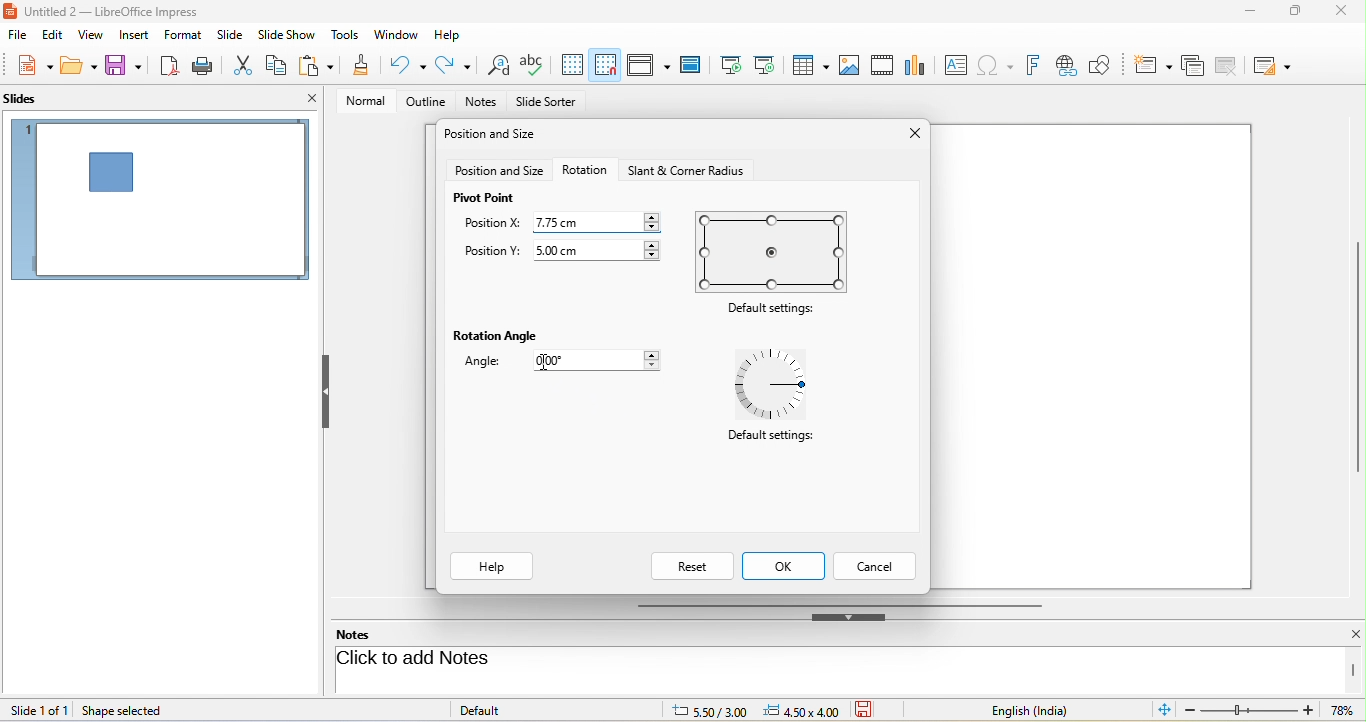 This screenshot has height=722, width=1366. What do you see at coordinates (775, 251) in the screenshot?
I see `default settings` at bounding box center [775, 251].